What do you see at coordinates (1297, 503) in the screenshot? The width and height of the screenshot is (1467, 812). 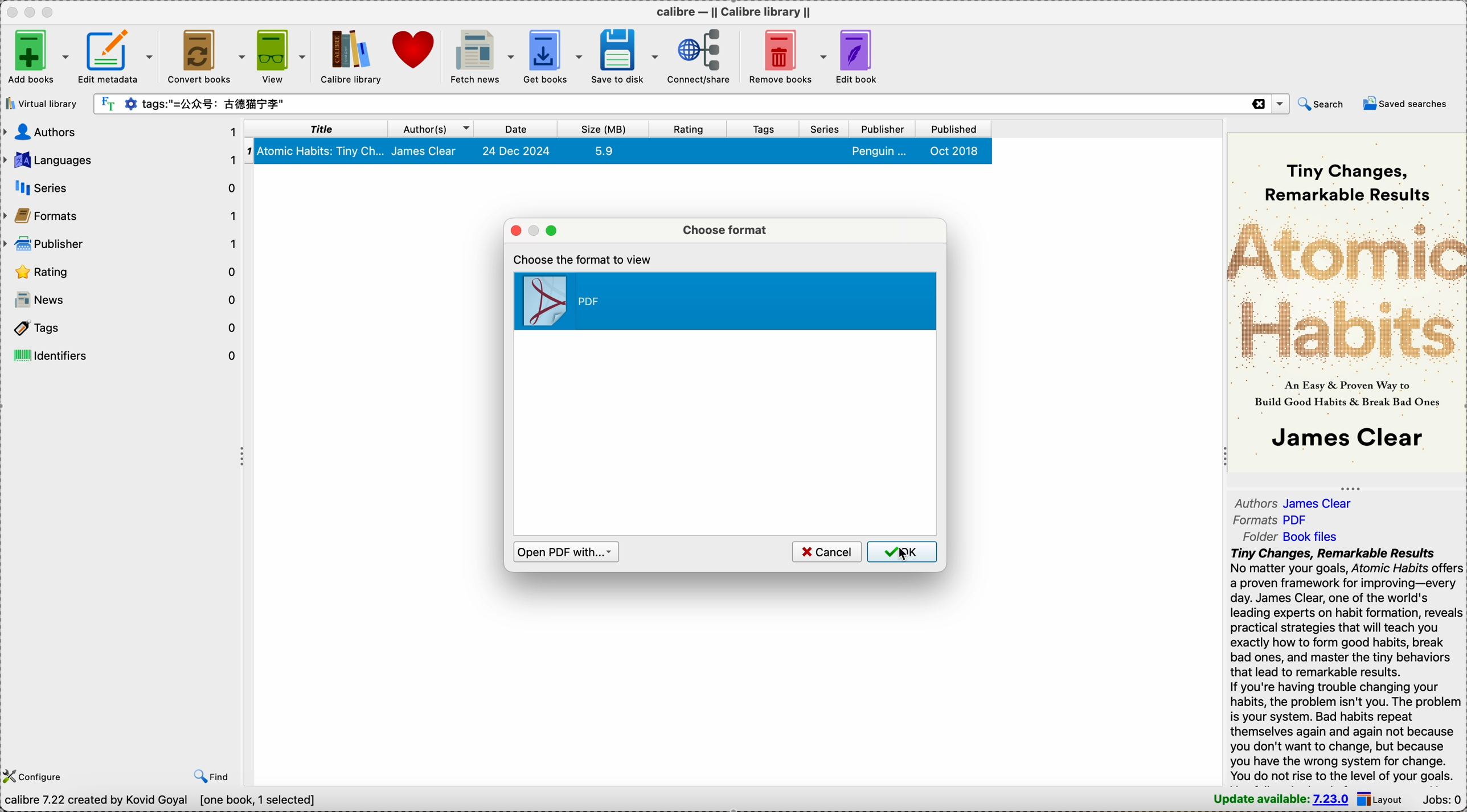 I see `authors` at bounding box center [1297, 503].